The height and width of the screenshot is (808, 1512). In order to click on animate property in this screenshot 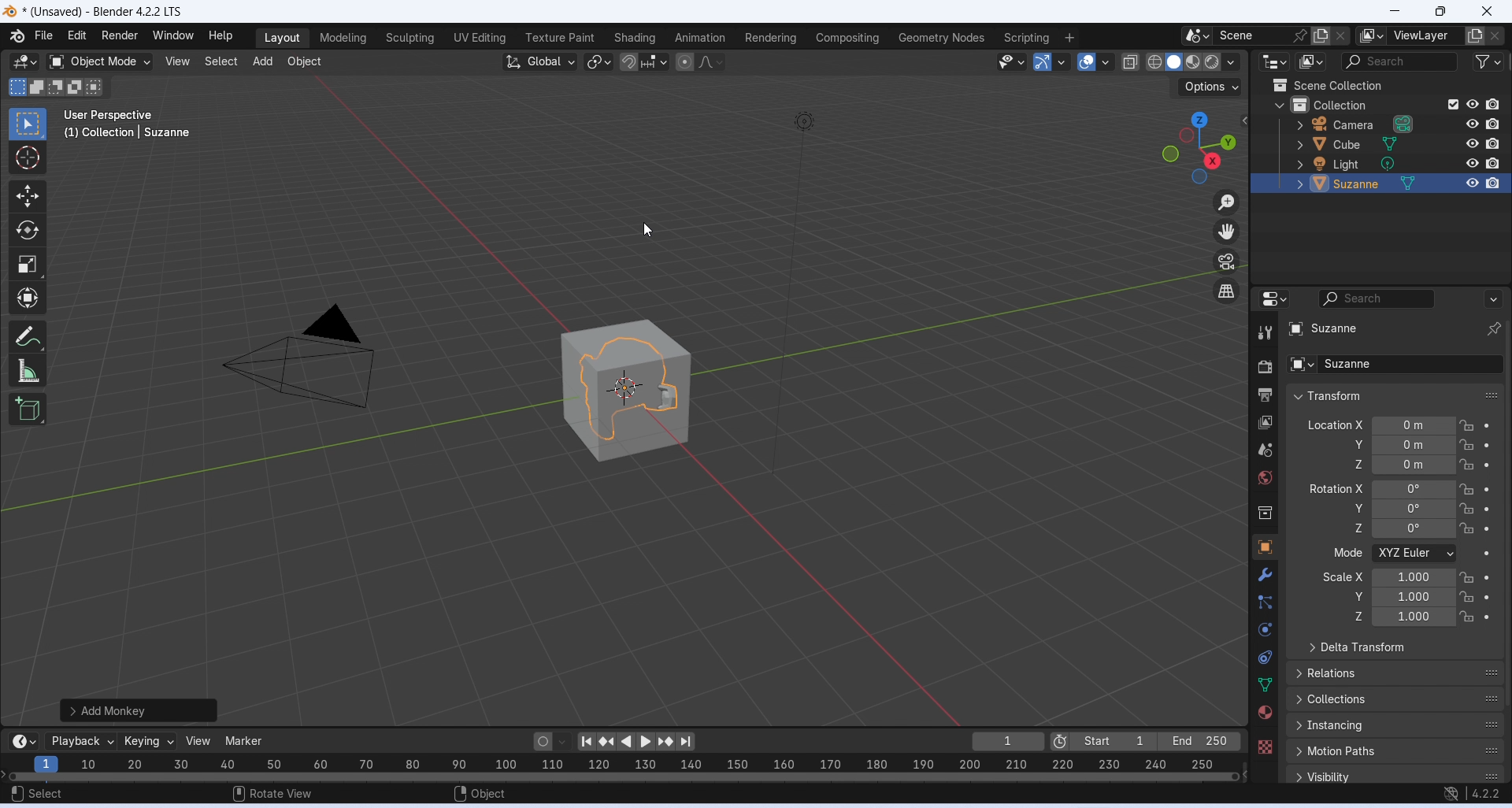, I will do `click(1486, 554)`.